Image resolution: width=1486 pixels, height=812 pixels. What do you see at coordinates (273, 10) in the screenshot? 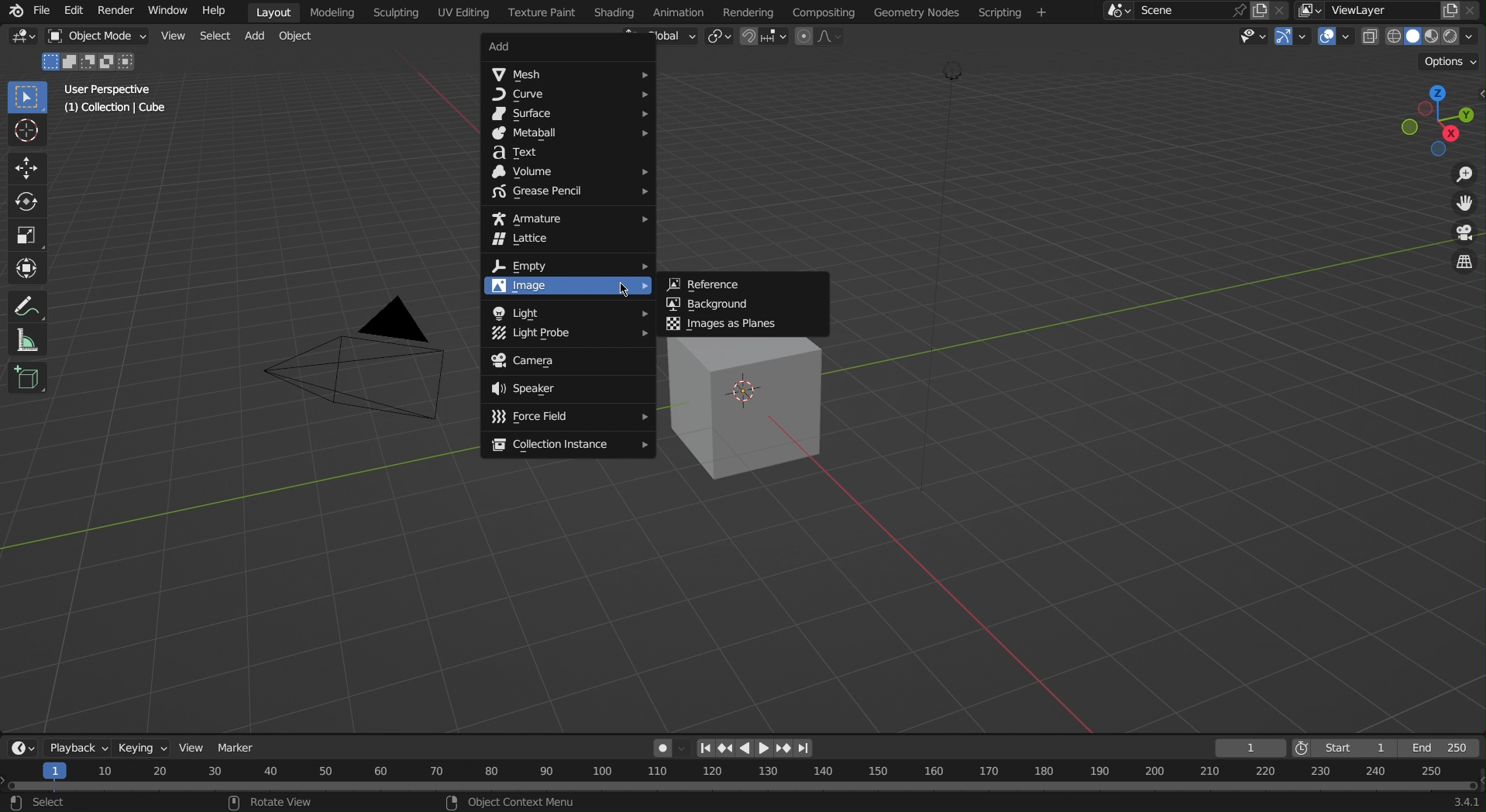
I see `Layout` at bounding box center [273, 10].